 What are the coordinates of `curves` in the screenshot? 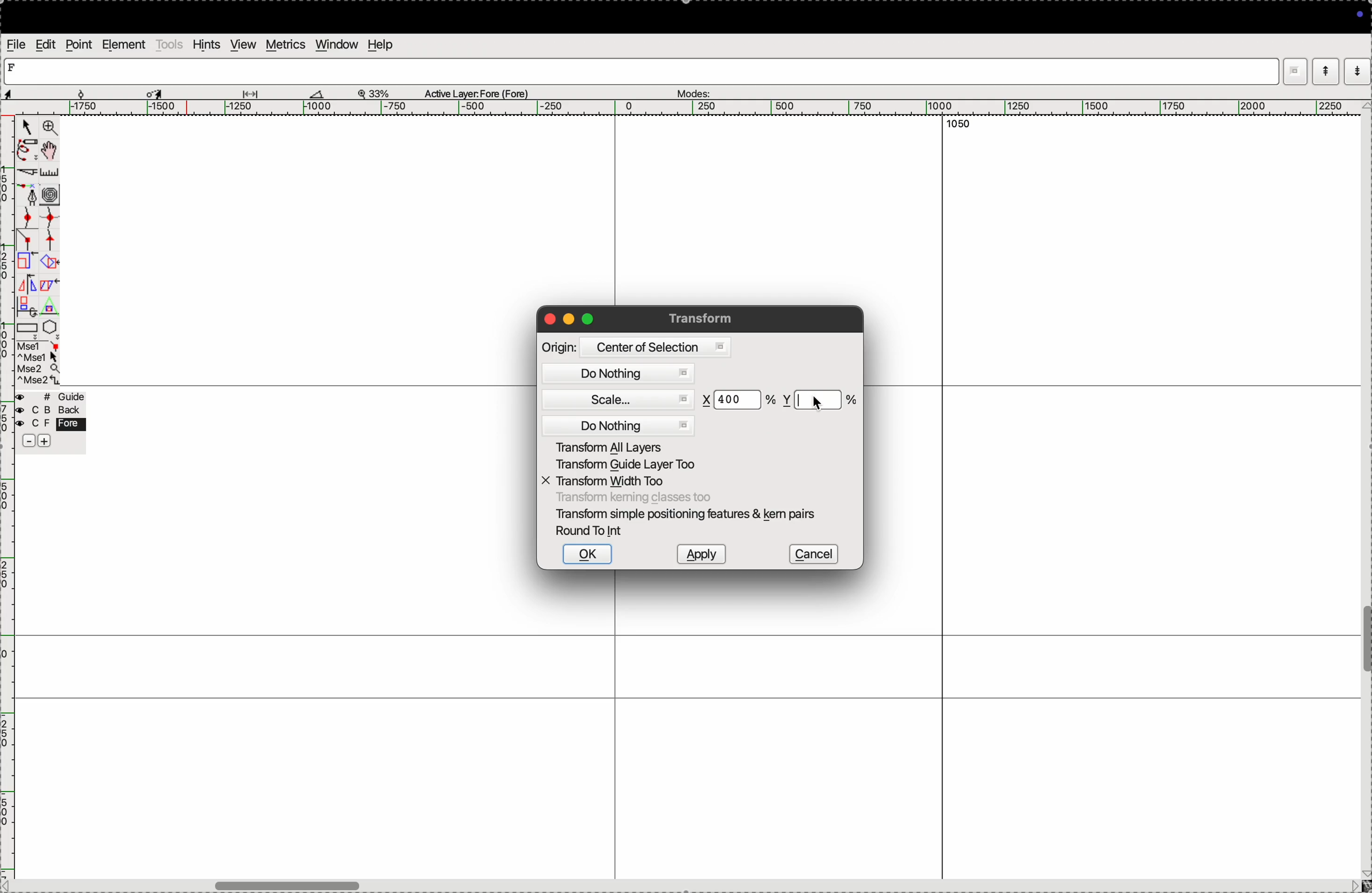 It's located at (51, 196).